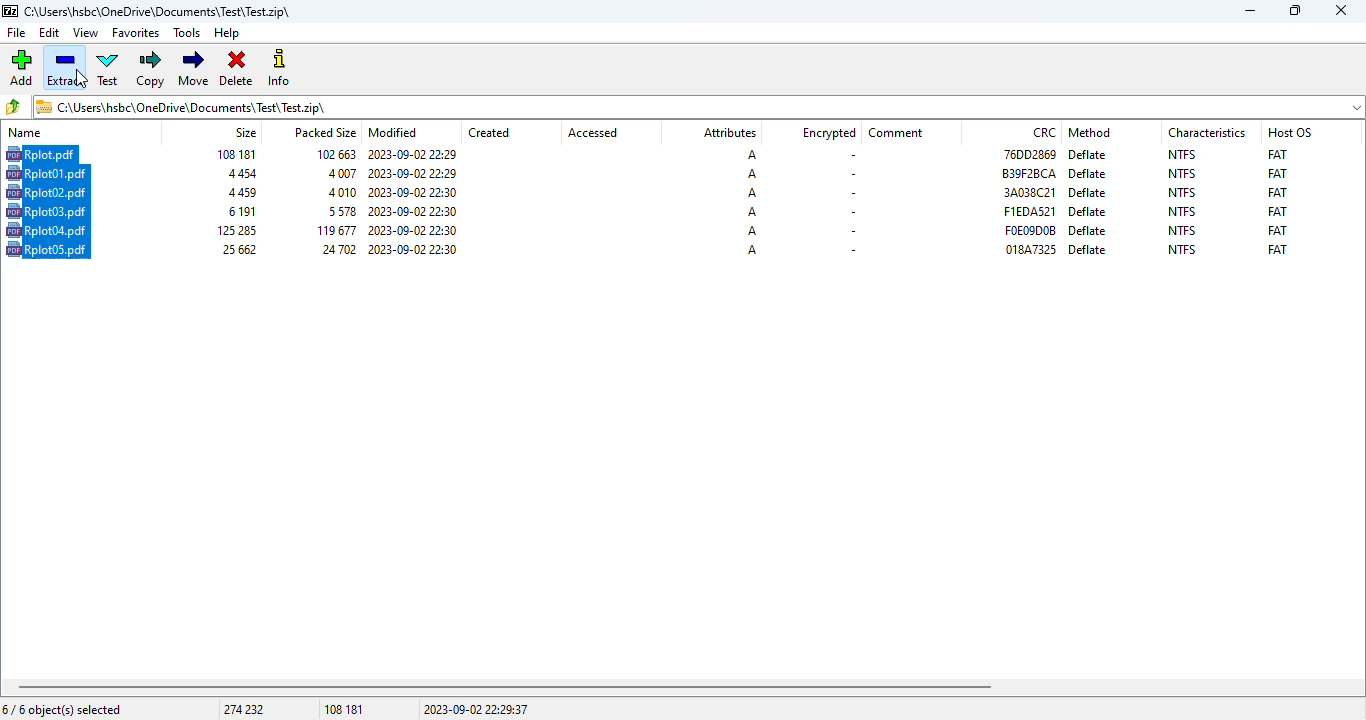 The width and height of the screenshot is (1366, 720). I want to click on NTFS, so click(1182, 154).